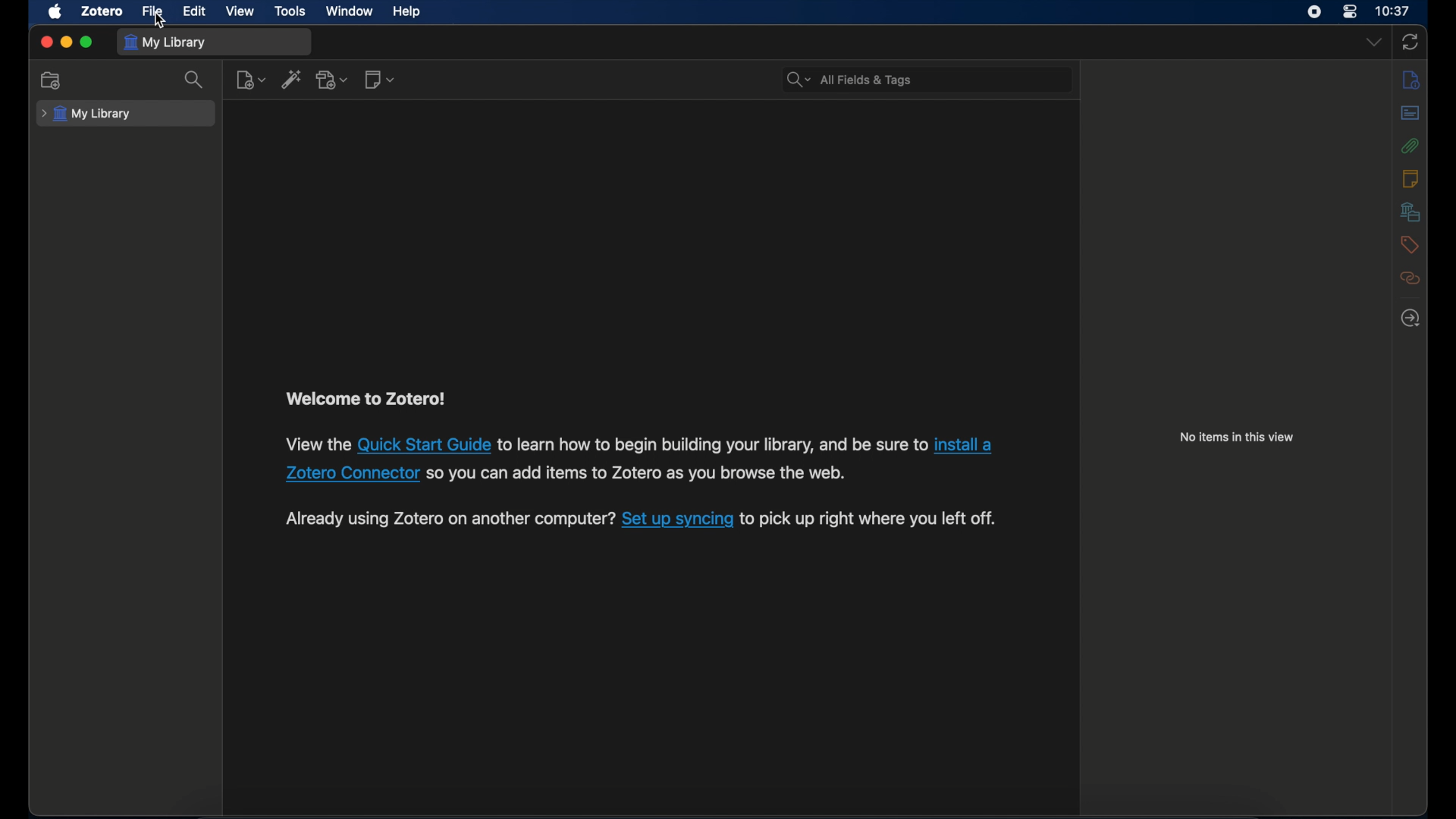 This screenshot has height=819, width=1456. Describe the element at coordinates (352, 475) in the screenshot. I see `Zotero connector link` at that location.